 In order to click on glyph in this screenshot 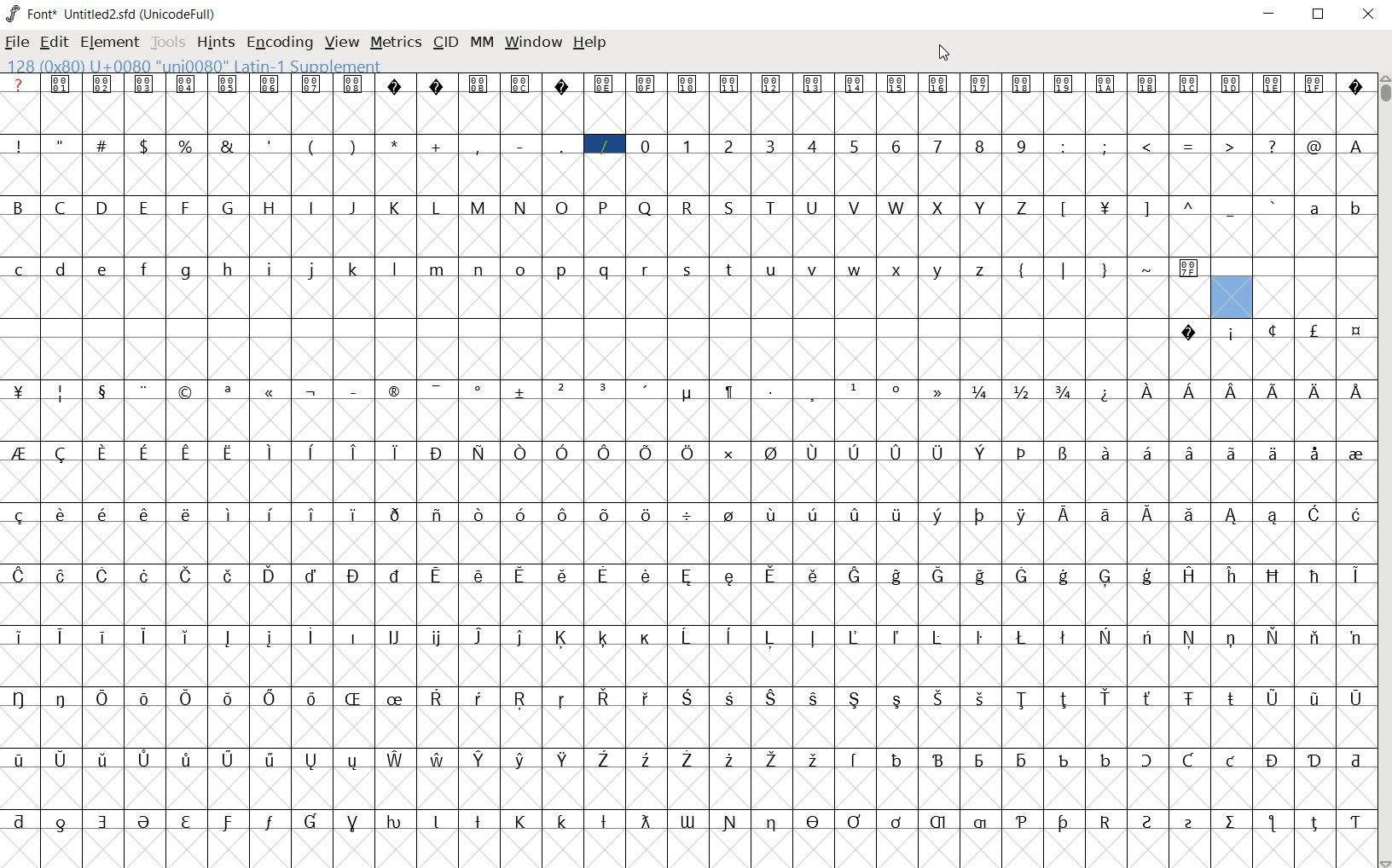, I will do `click(60, 269)`.